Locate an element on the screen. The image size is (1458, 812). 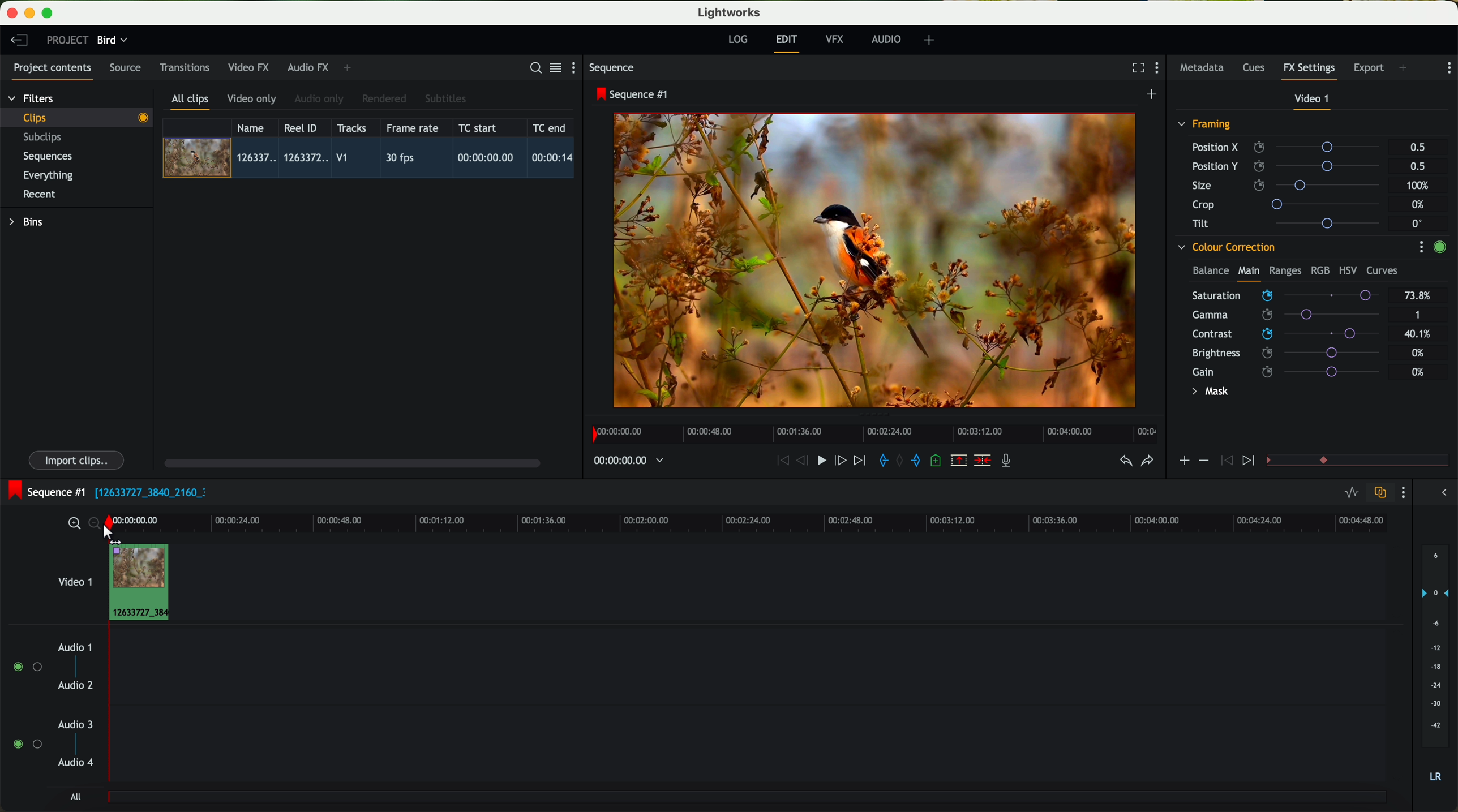
add 'out' mark is located at coordinates (921, 459).